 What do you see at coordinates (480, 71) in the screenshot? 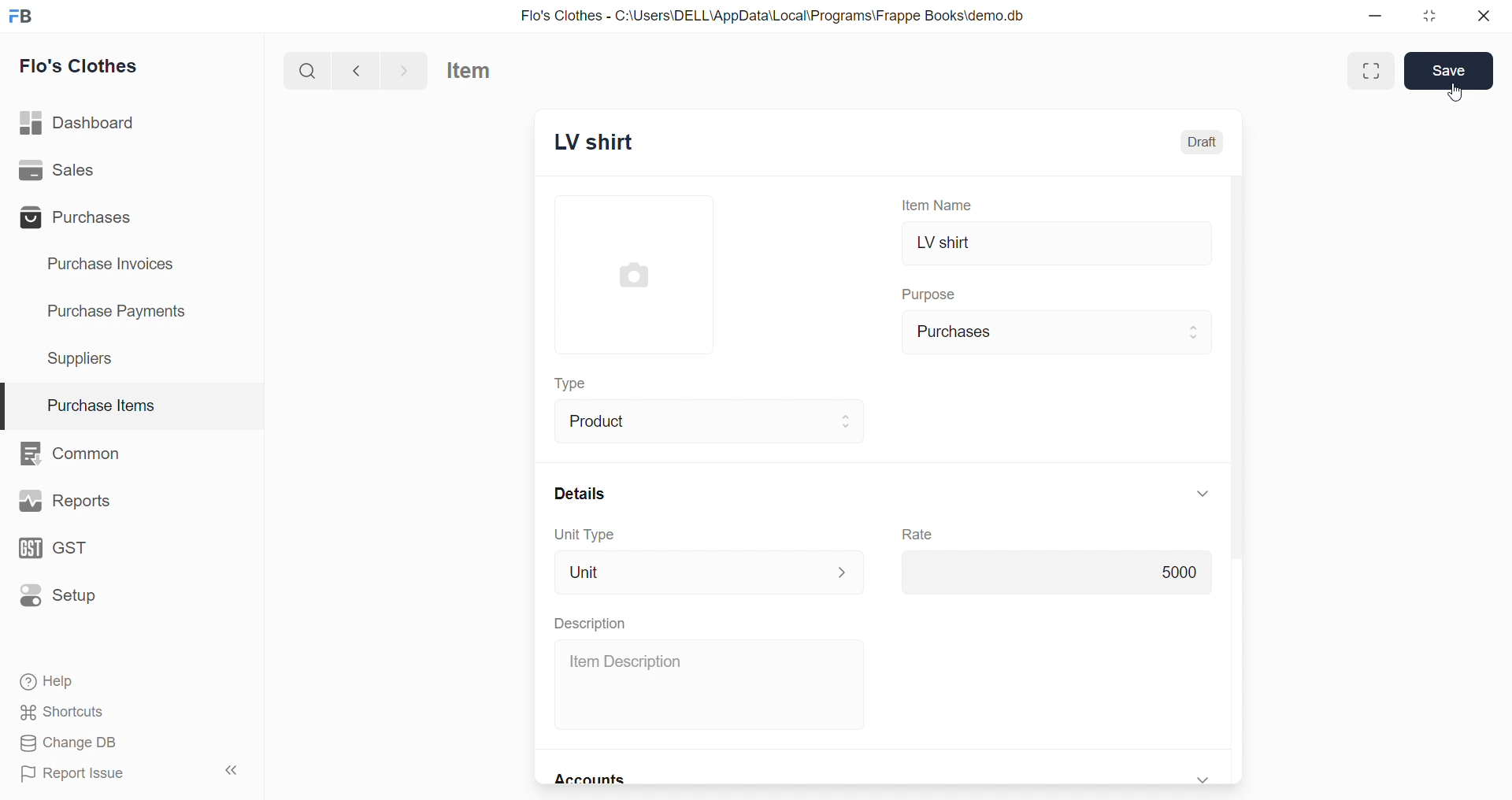
I see `Item` at bounding box center [480, 71].